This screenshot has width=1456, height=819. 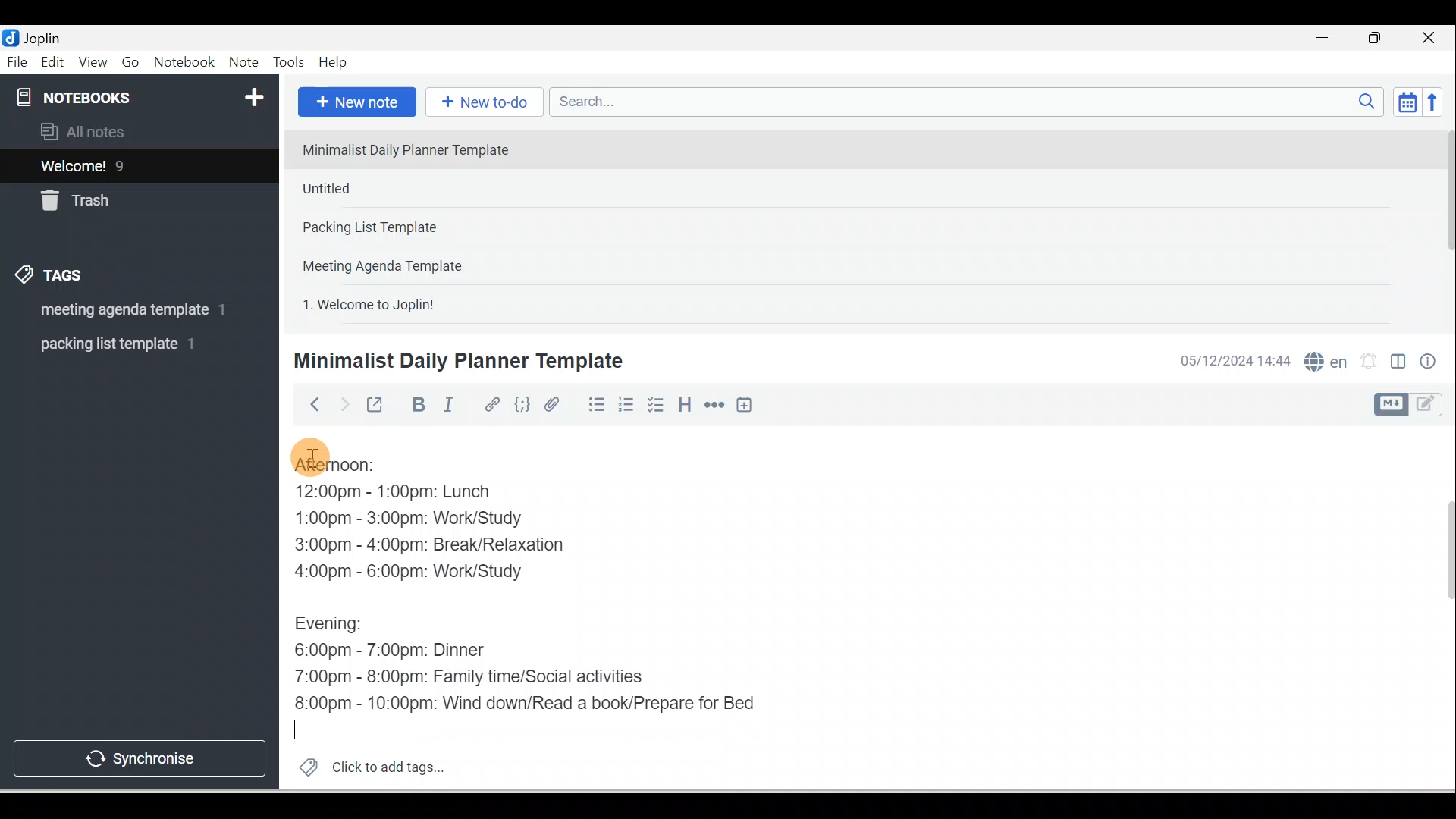 I want to click on New to-do, so click(x=481, y=103).